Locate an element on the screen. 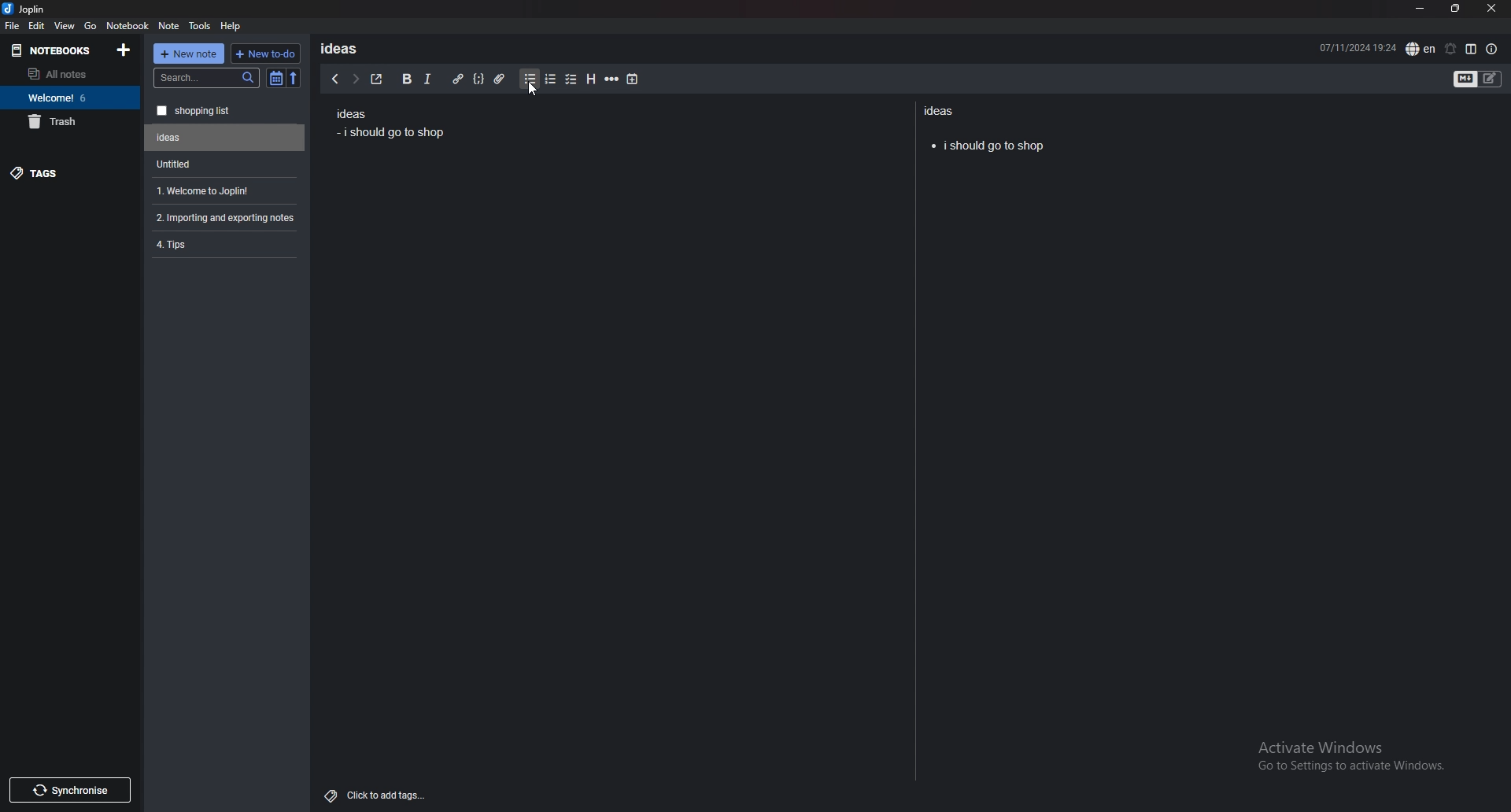  edit is located at coordinates (36, 26).